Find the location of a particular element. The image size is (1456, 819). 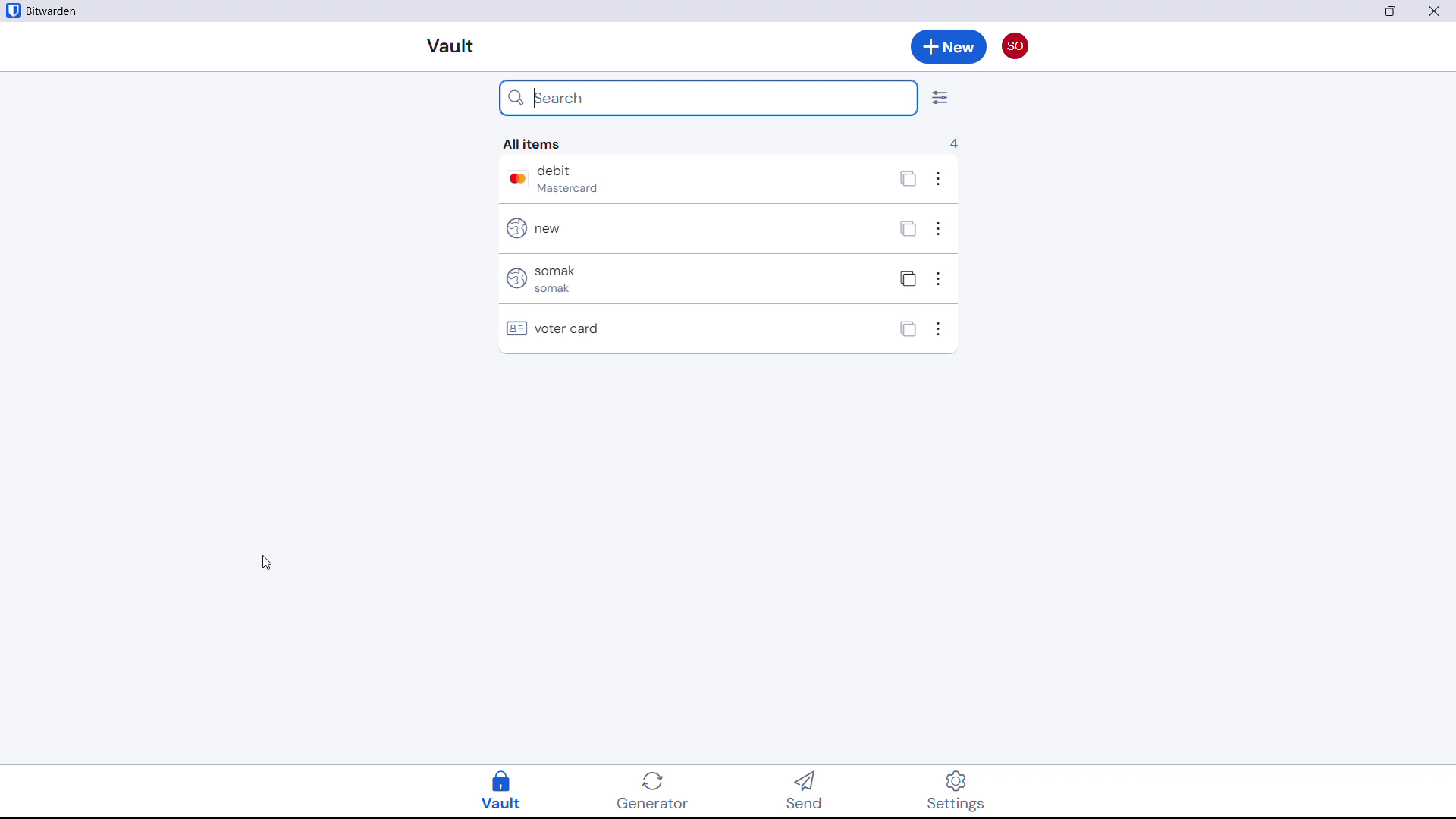

vault  is located at coordinates (513, 789).